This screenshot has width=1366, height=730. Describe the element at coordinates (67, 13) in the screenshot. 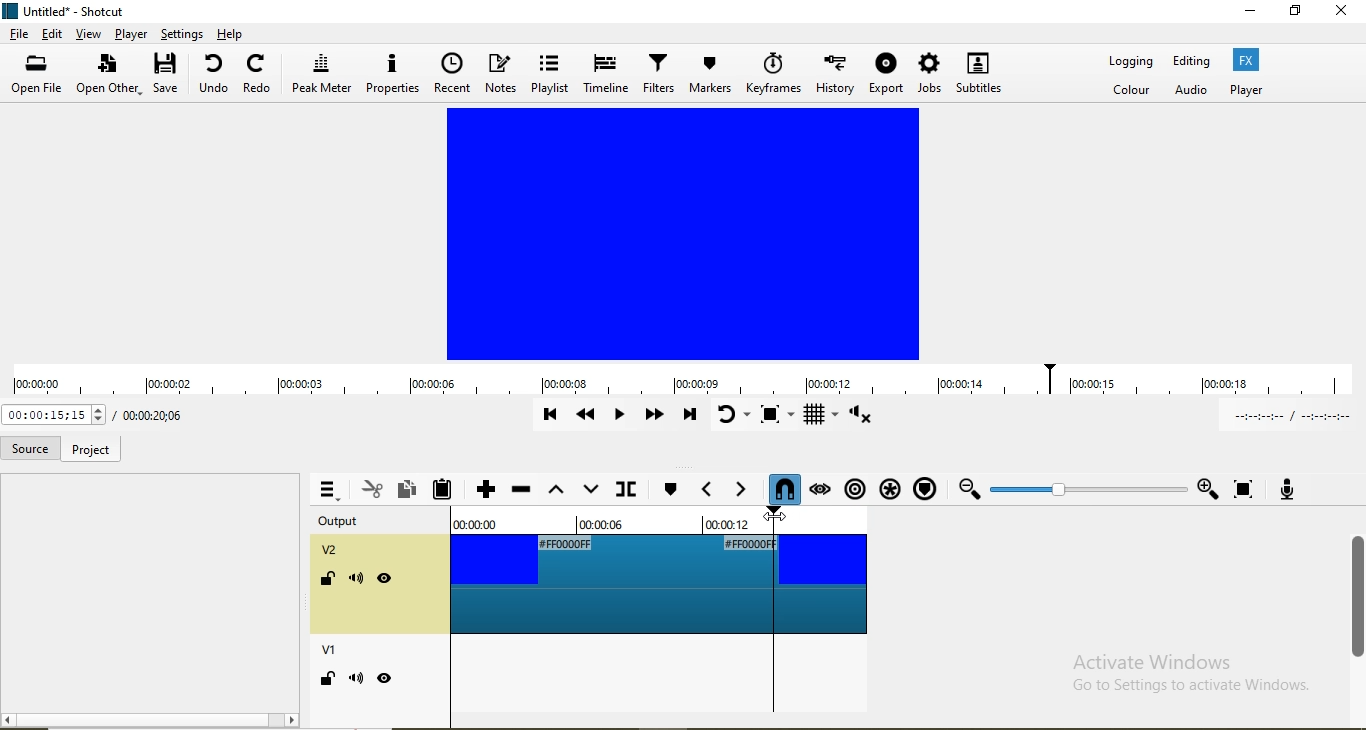

I see `file name` at that location.